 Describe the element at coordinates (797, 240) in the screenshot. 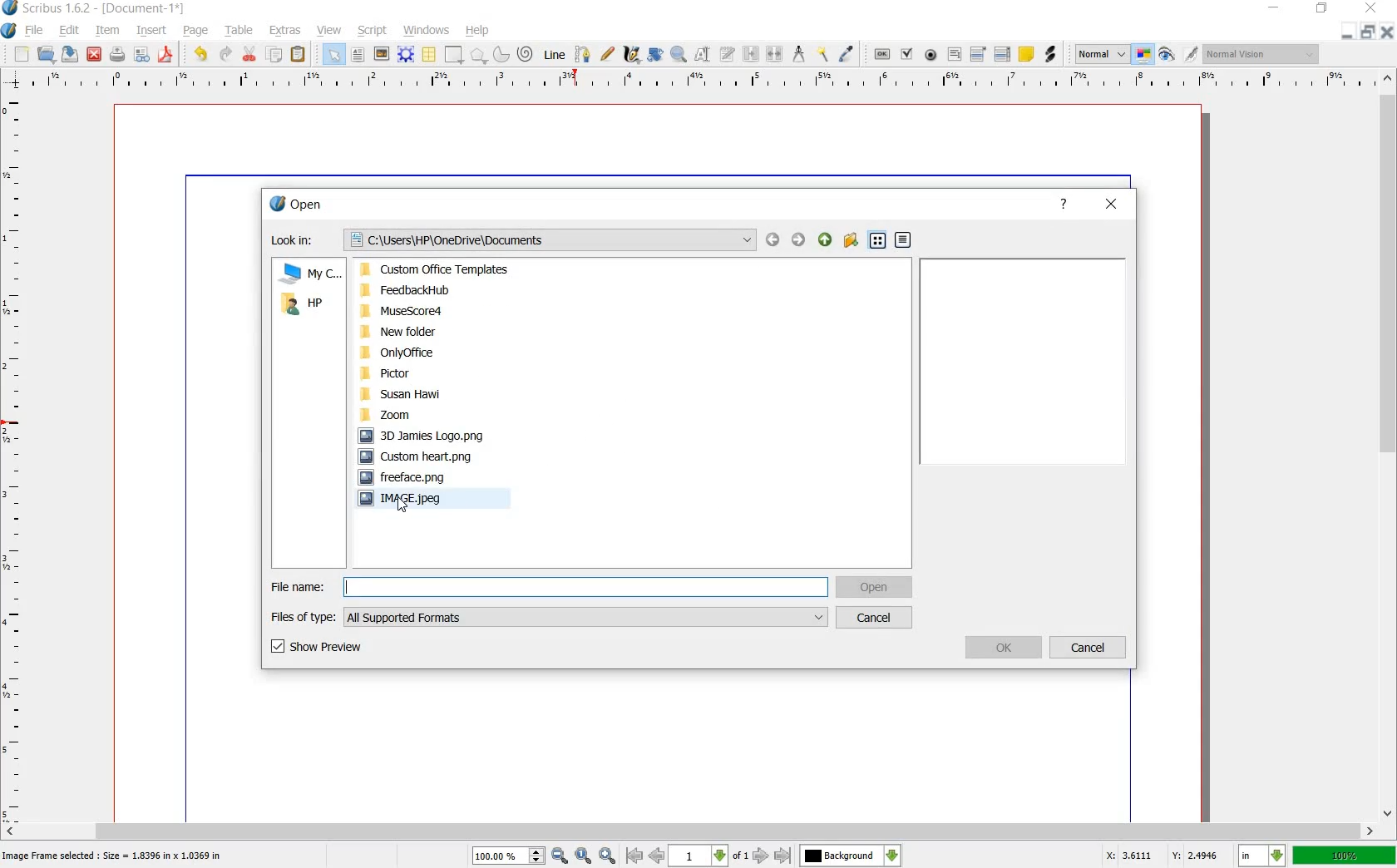

I see `Forward` at that location.